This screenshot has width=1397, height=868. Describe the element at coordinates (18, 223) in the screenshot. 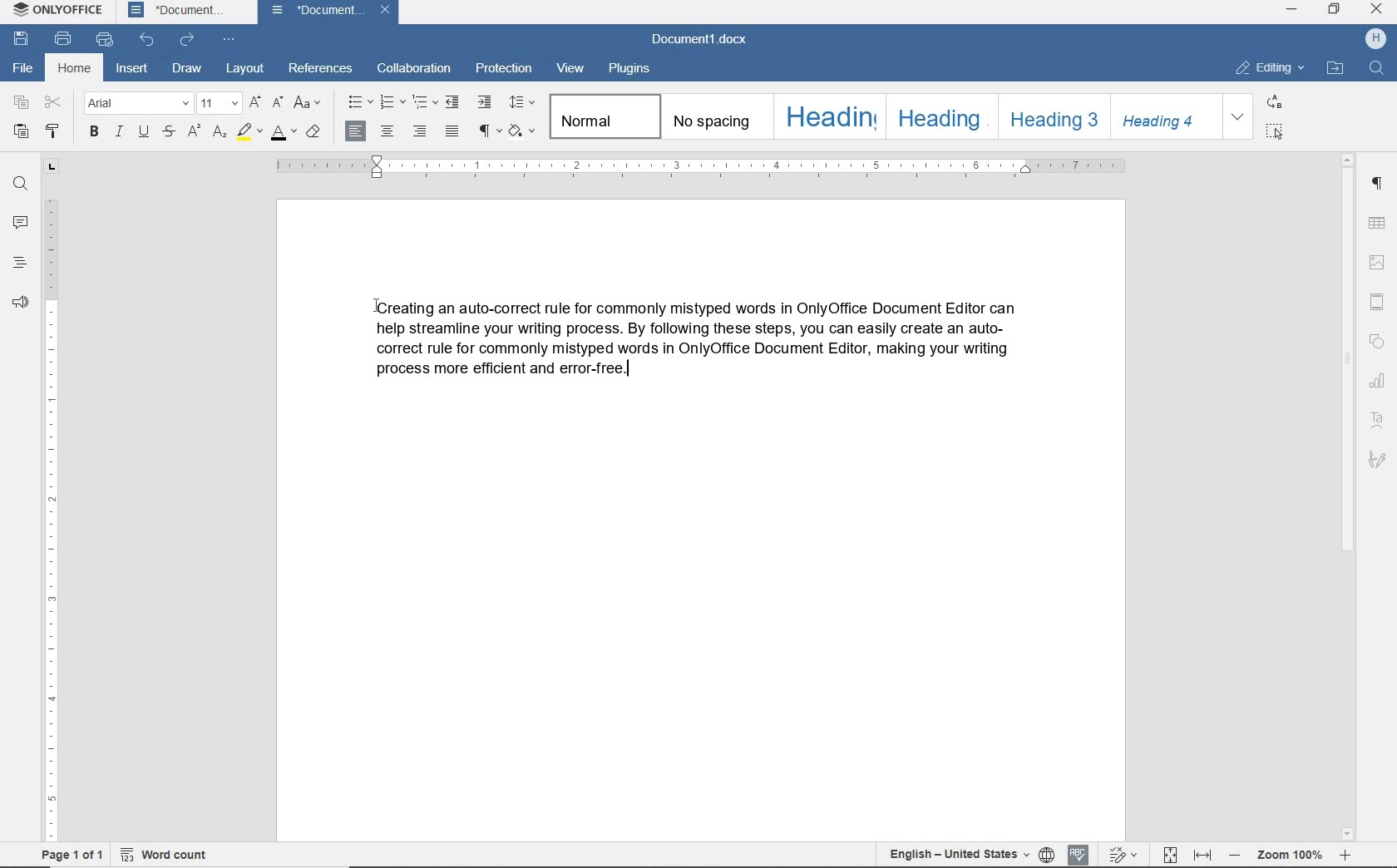

I see `comments` at that location.